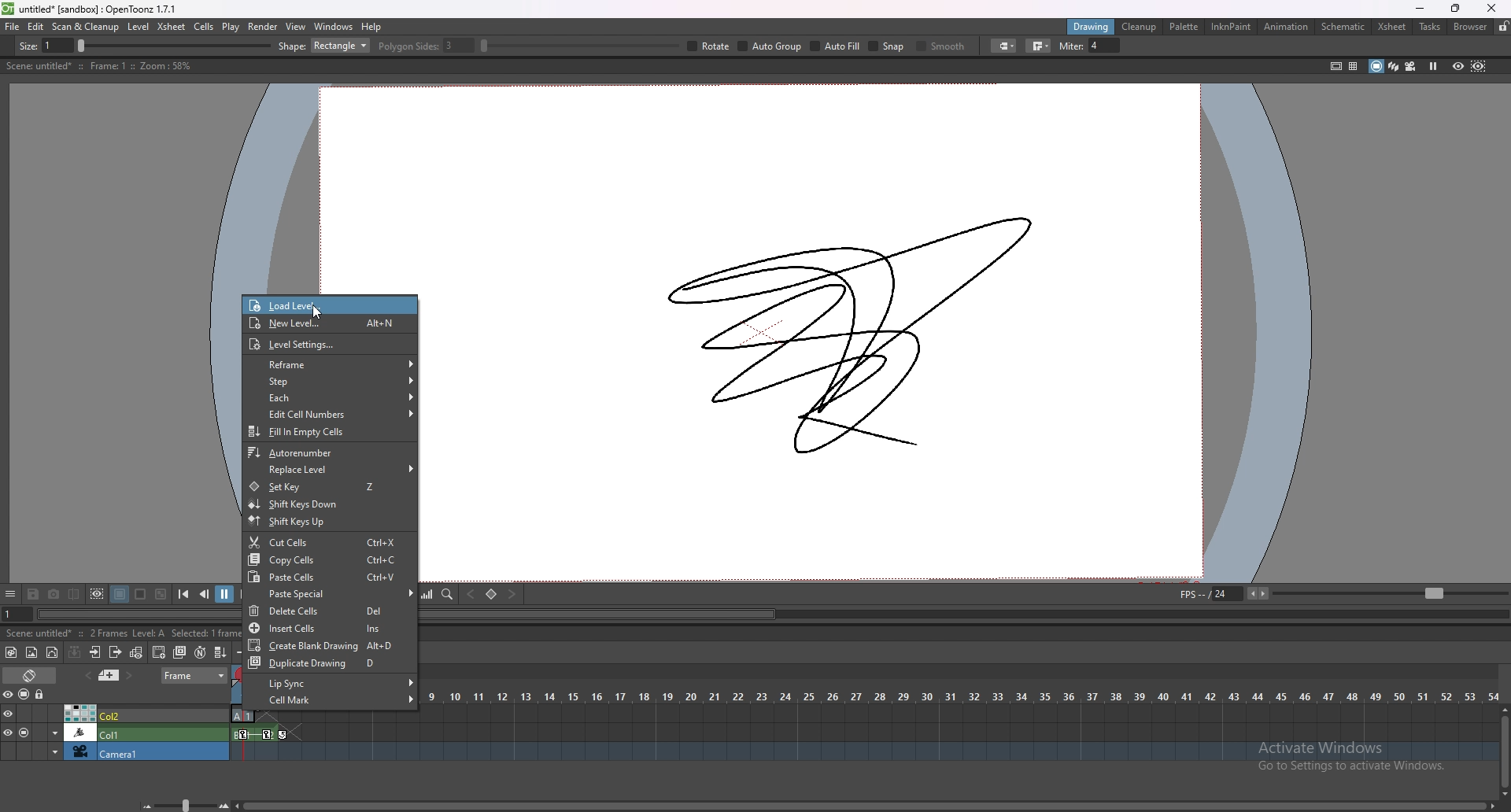 The width and height of the screenshot is (1511, 812). Describe the element at coordinates (1081, 46) in the screenshot. I see `selective` at that location.